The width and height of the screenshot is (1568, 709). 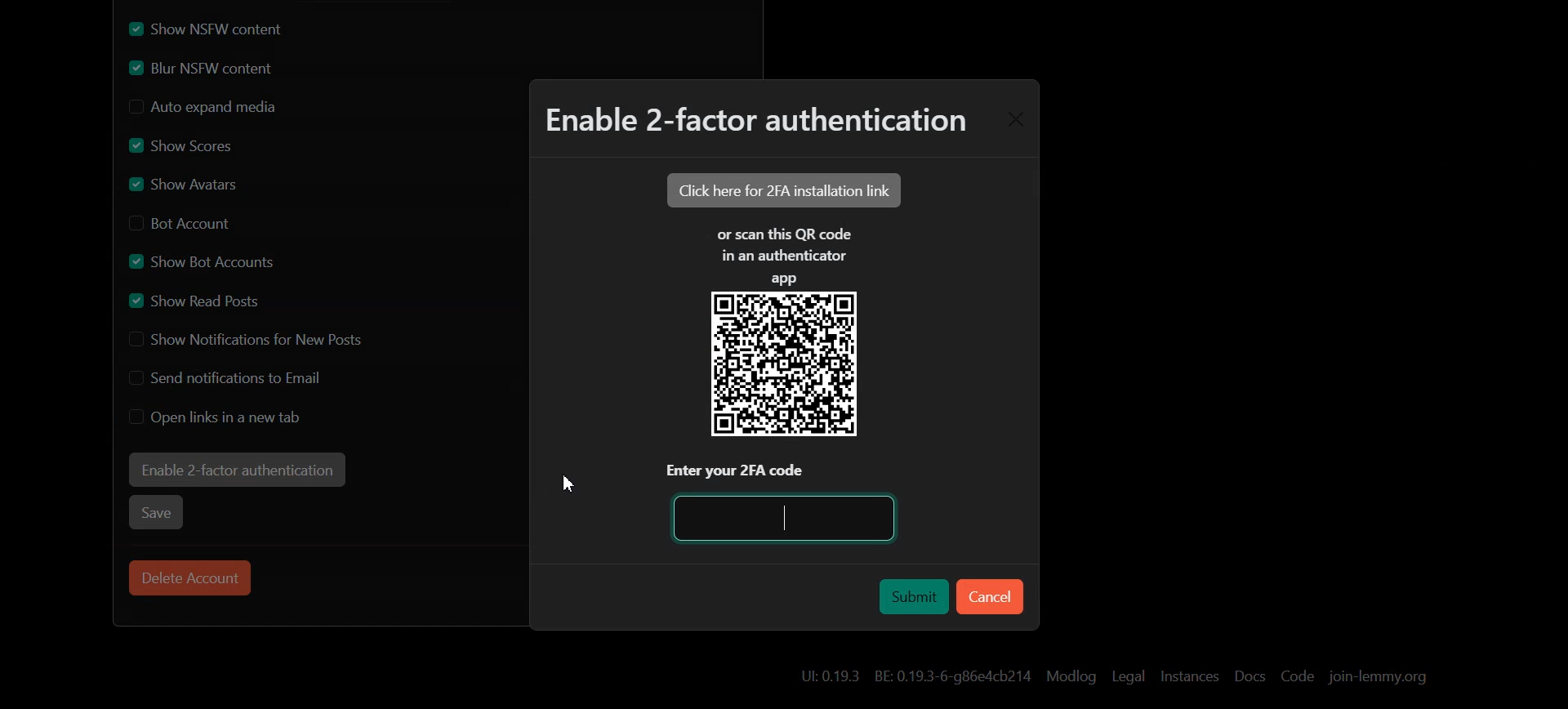 What do you see at coordinates (236, 470) in the screenshot?
I see `Enable 2-factor authentication` at bounding box center [236, 470].